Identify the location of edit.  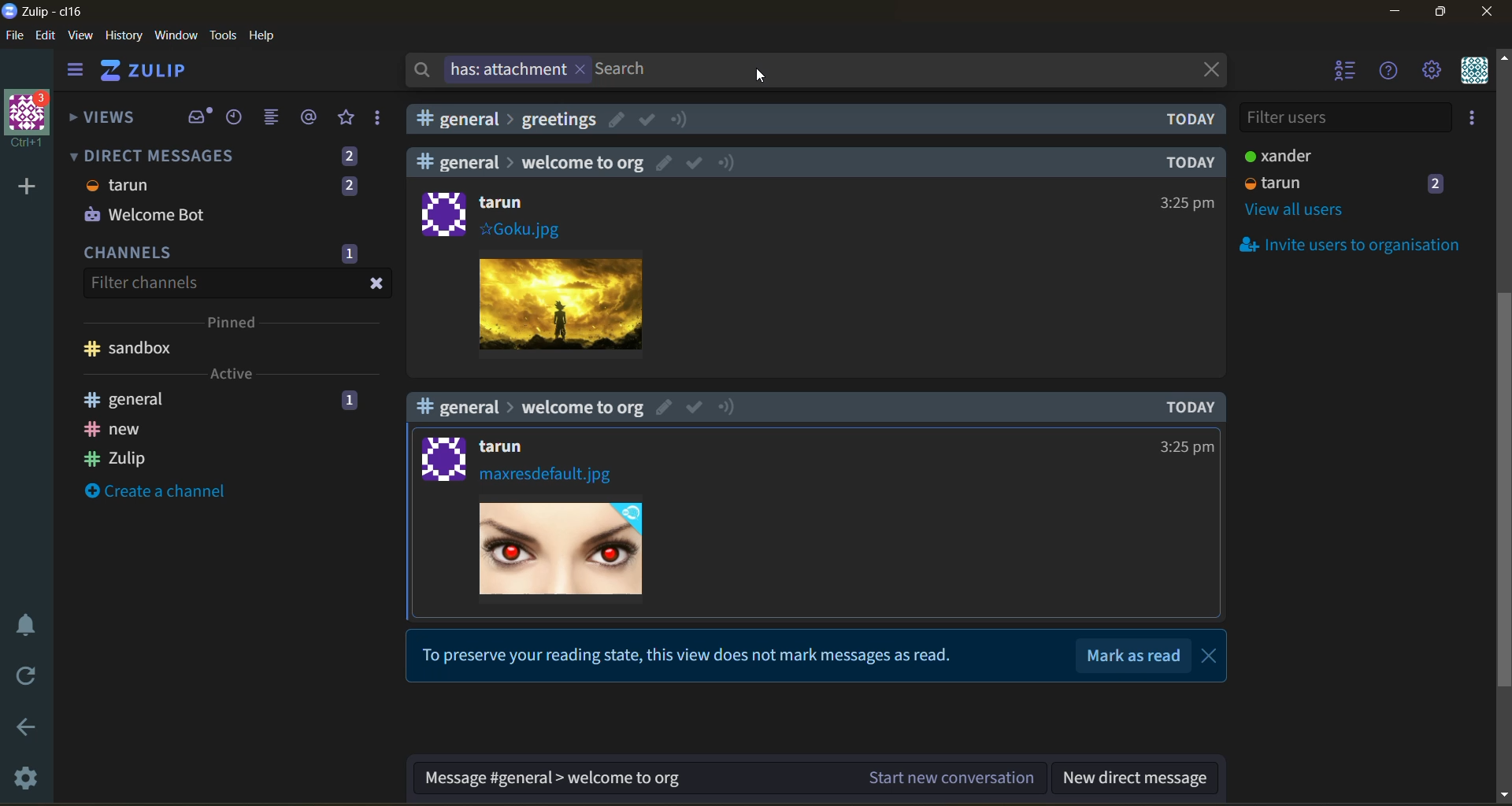
(617, 119).